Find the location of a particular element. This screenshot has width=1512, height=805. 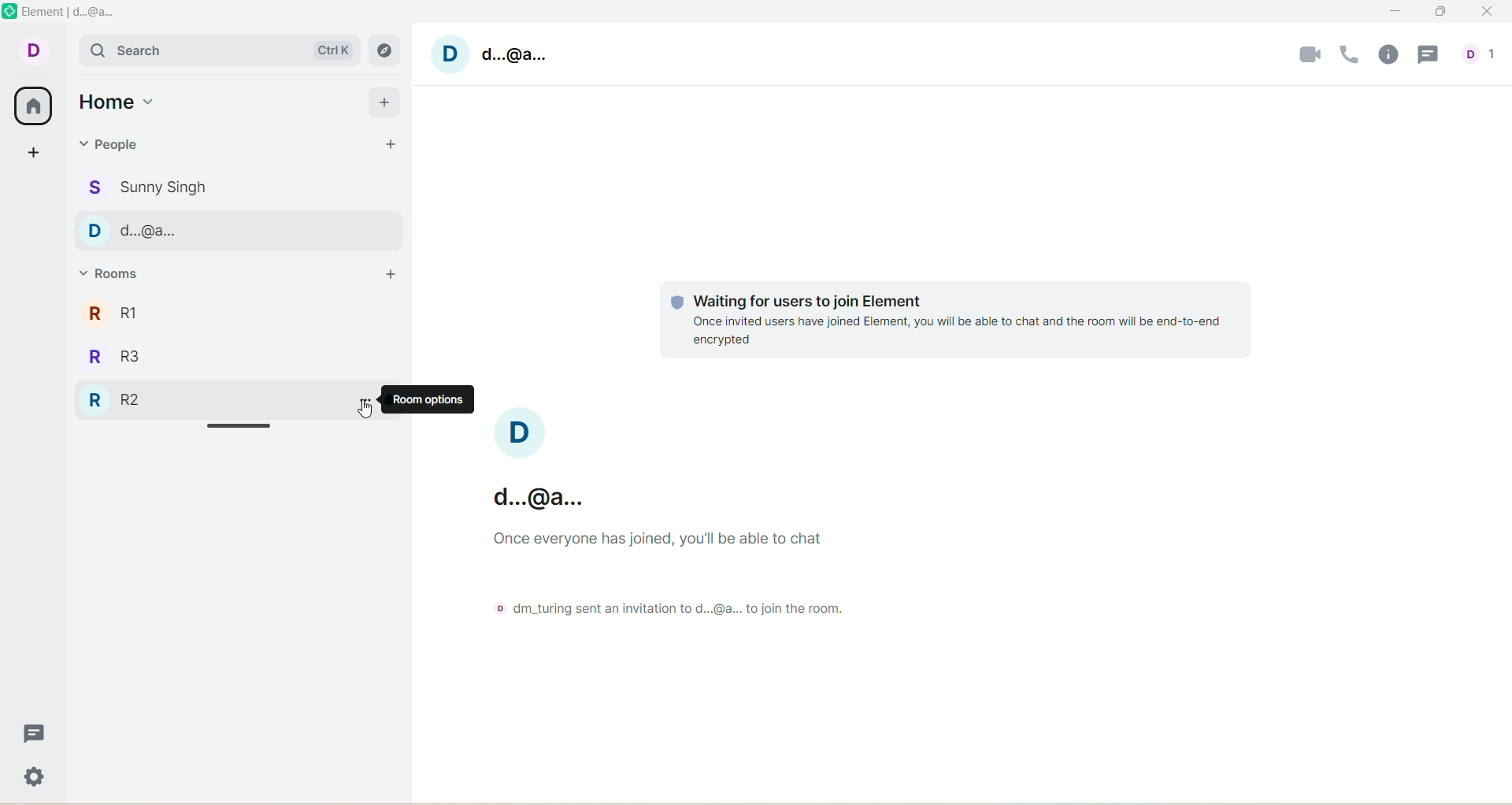

threads is located at coordinates (1428, 57).